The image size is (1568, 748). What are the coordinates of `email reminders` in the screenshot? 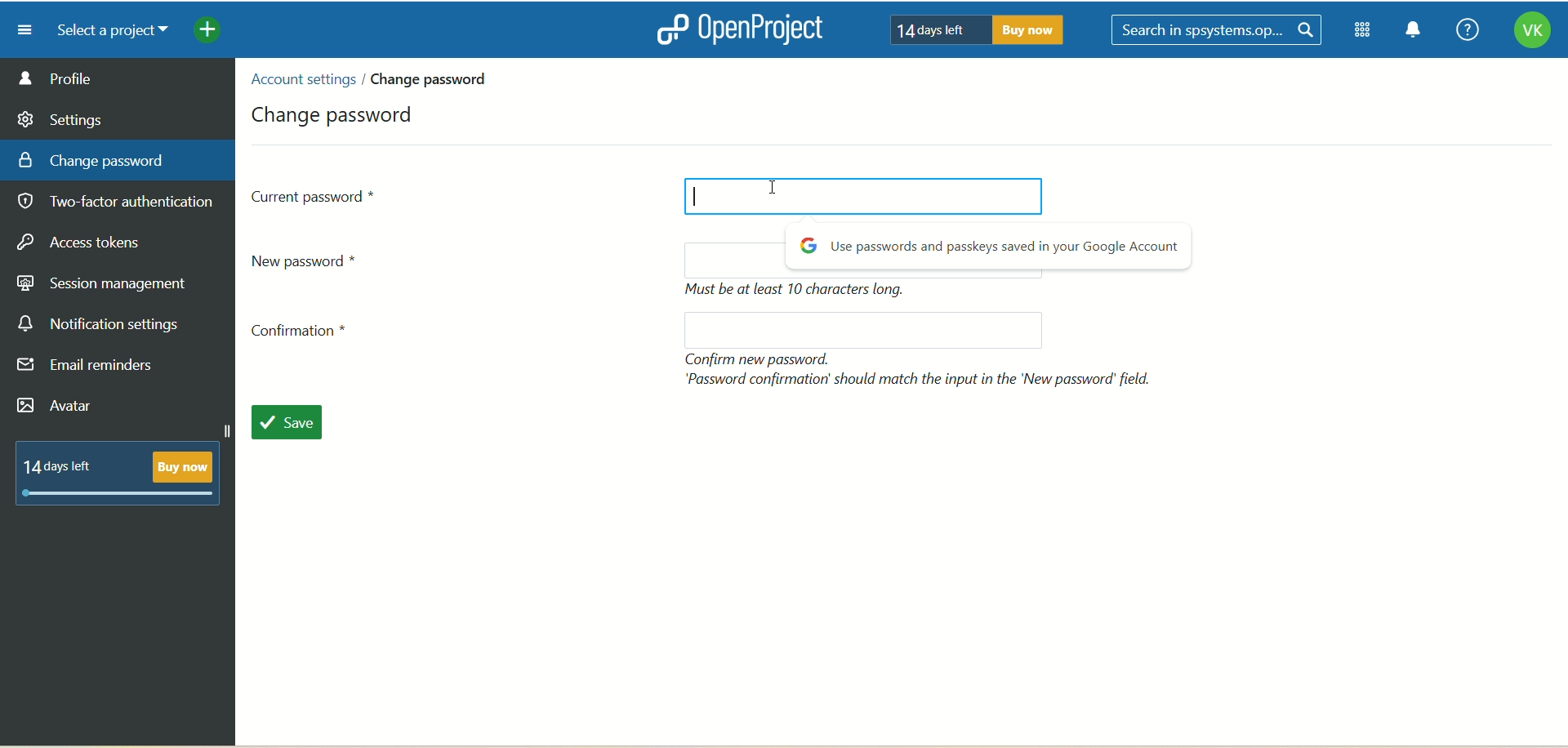 It's located at (90, 368).